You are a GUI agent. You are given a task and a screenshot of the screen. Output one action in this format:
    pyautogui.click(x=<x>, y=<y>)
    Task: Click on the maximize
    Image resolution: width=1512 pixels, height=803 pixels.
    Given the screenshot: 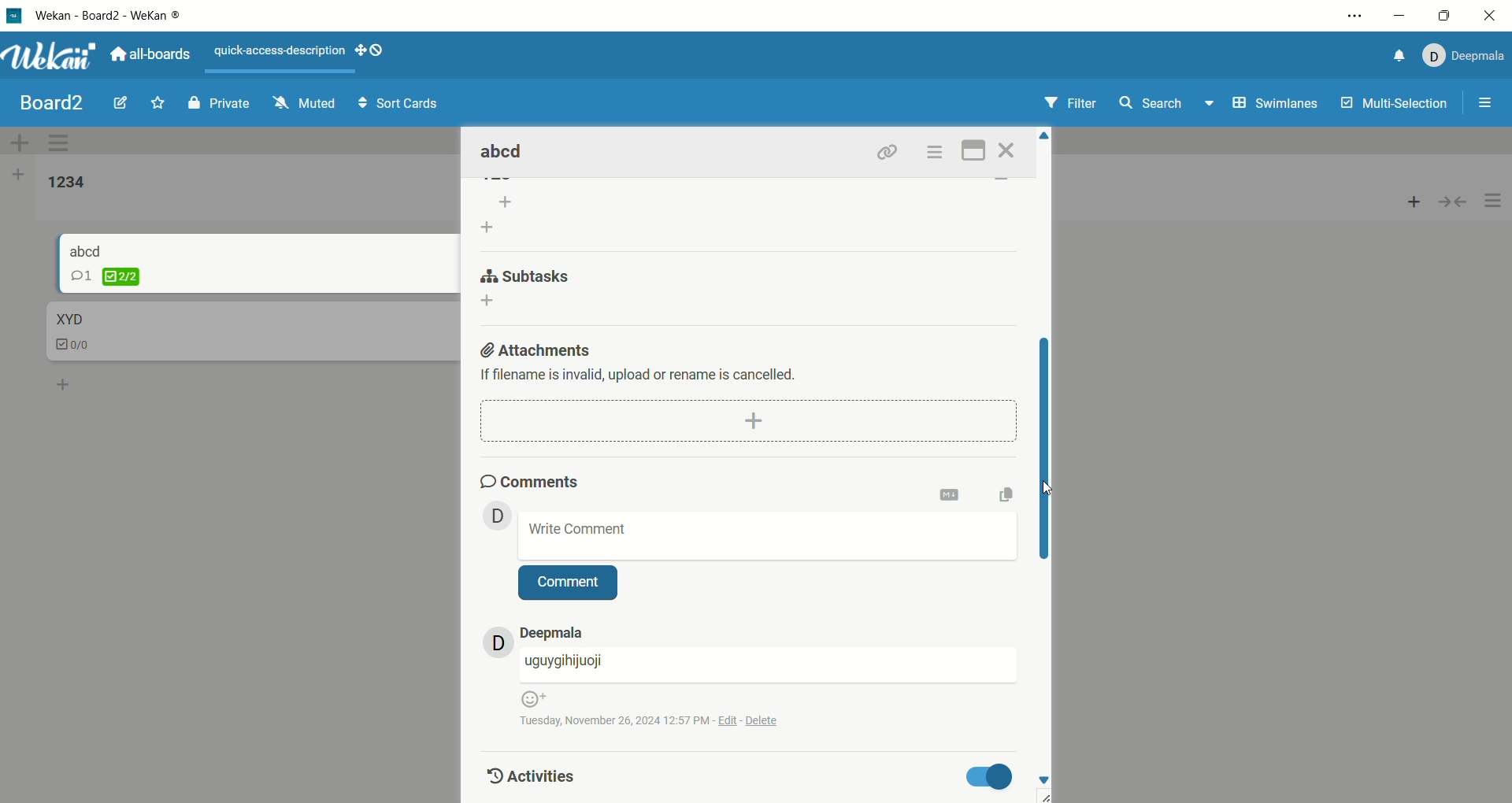 What is the action you would take?
    pyautogui.click(x=1444, y=17)
    